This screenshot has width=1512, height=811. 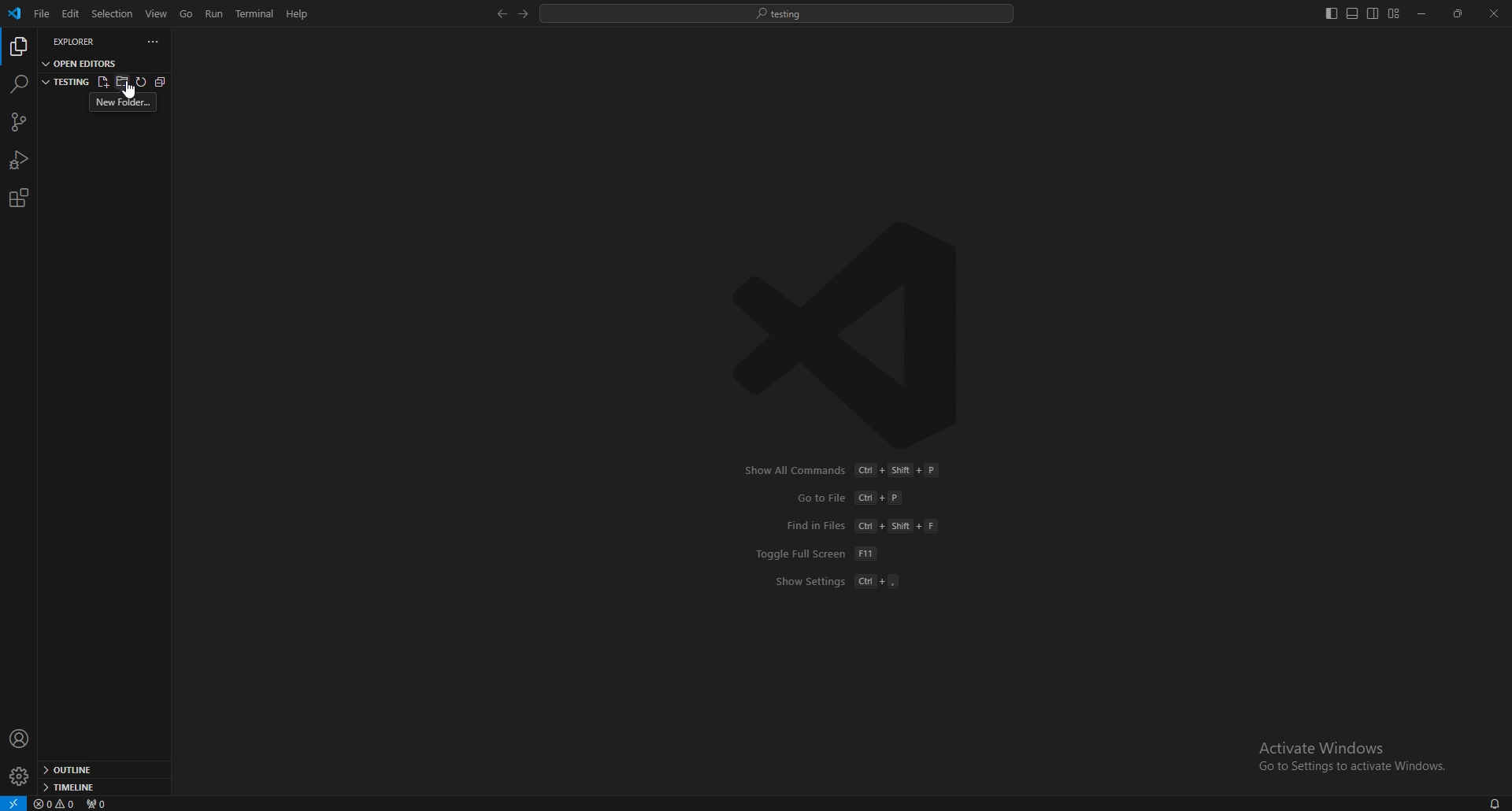 I want to click on open a remote window, so click(x=13, y=802).